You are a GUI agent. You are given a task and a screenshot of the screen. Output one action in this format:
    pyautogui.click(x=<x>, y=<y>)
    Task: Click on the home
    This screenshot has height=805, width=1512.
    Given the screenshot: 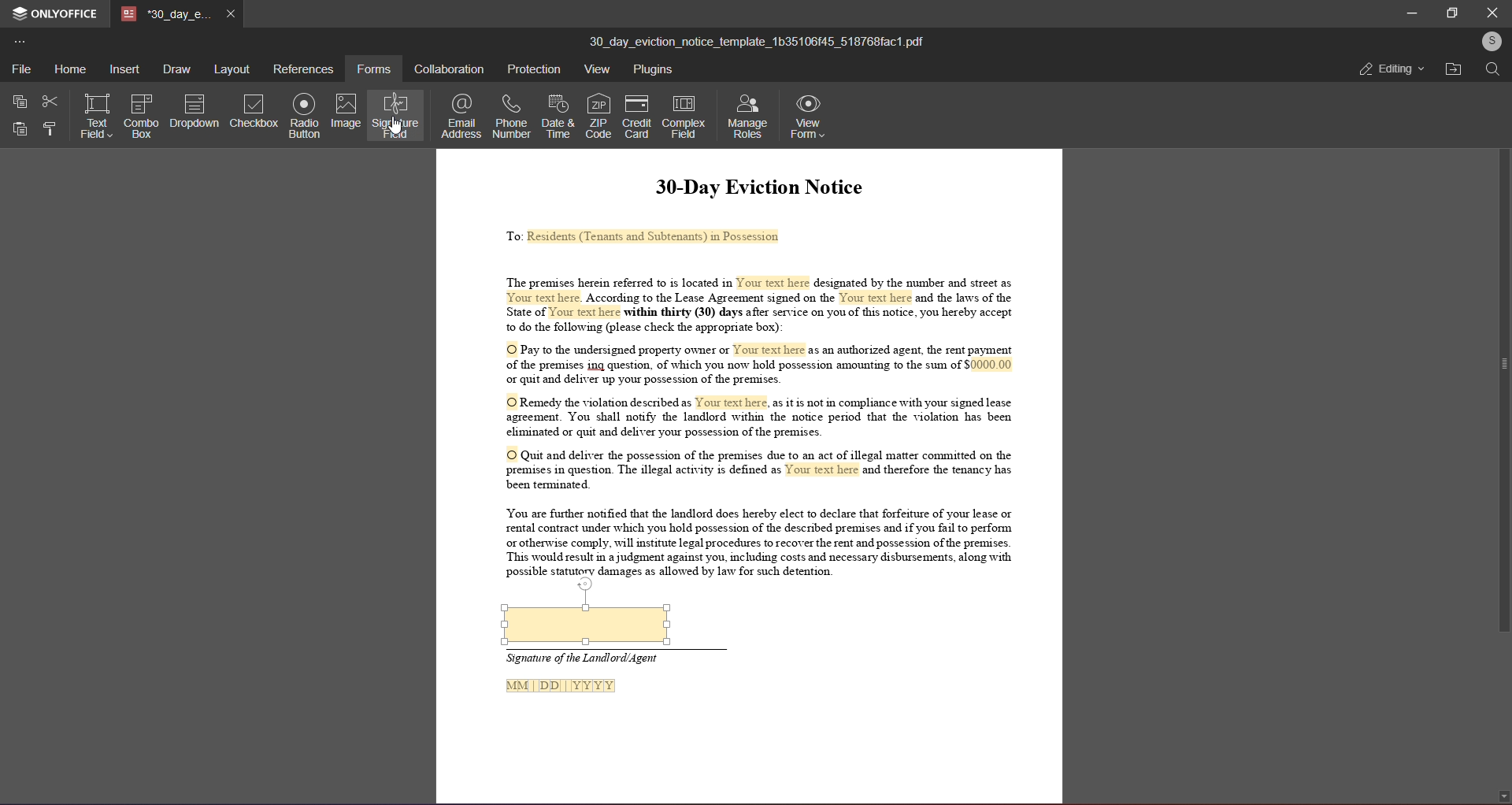 What is the action you would take?
    pyautogui.click(x=69, y=69)
    